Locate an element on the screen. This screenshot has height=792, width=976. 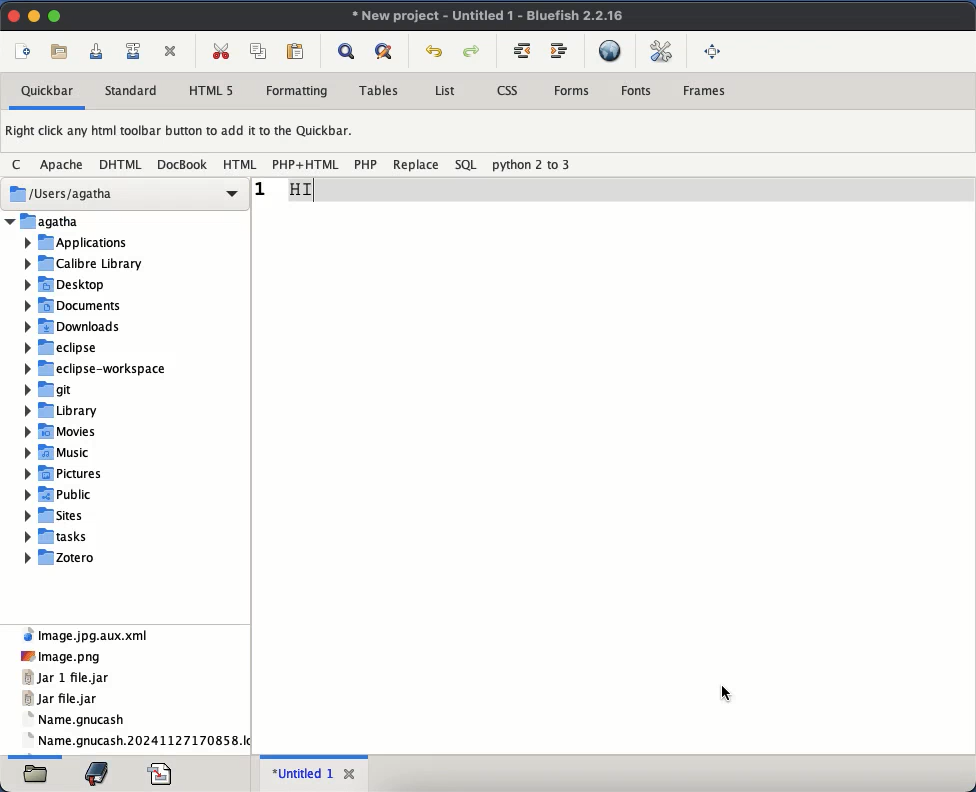
php is located at coordinates (367, 165).